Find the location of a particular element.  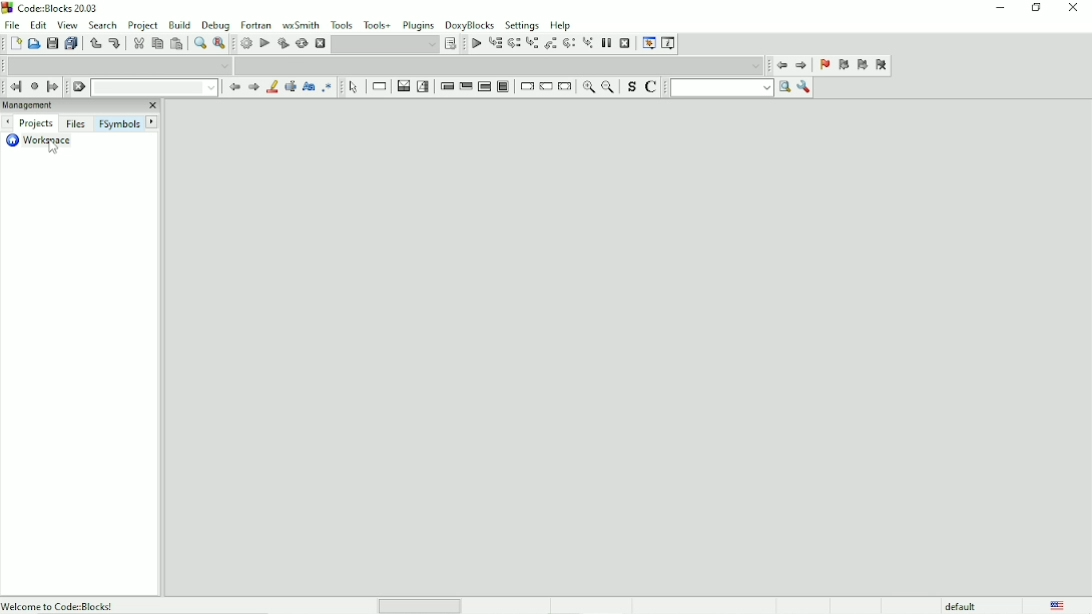

Drop down is located at coordinates (157, 88).